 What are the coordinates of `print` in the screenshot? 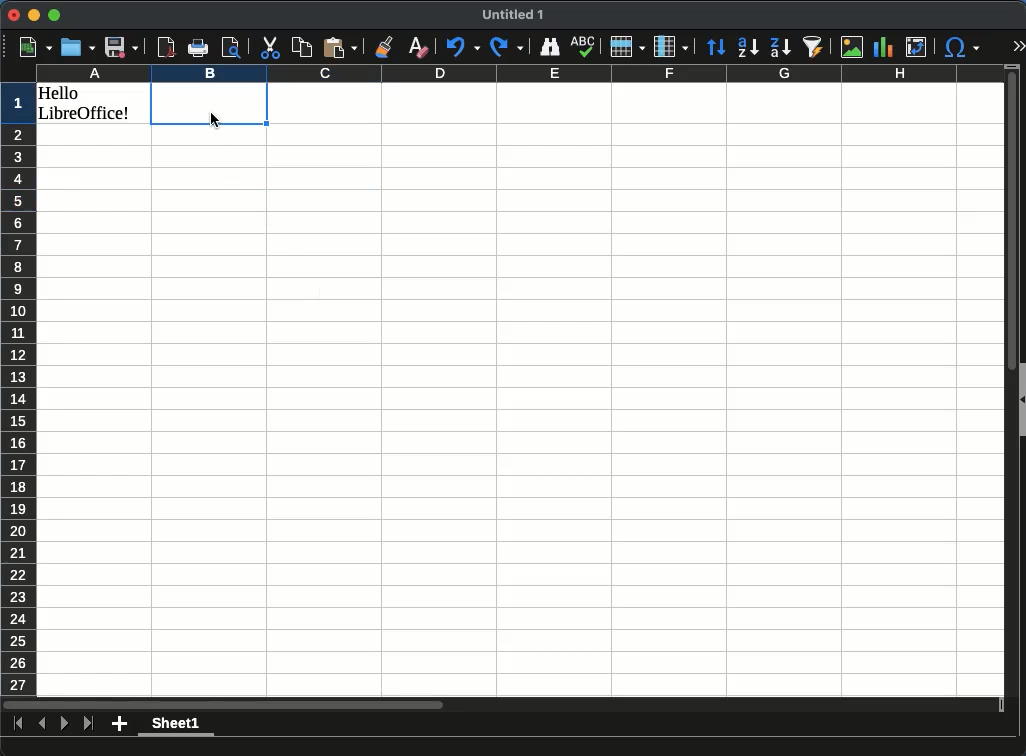 It's located at (199, 50).